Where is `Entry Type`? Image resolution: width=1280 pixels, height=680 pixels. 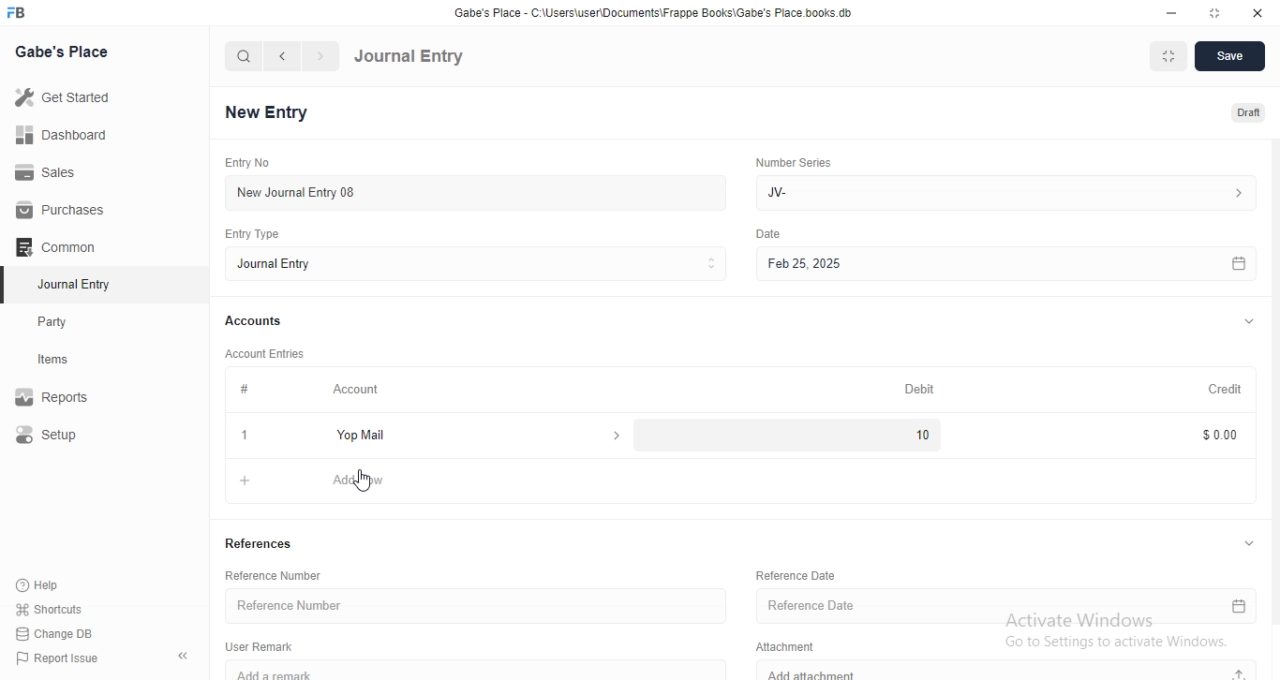 Entry Type is located at coordinates (250, 234).